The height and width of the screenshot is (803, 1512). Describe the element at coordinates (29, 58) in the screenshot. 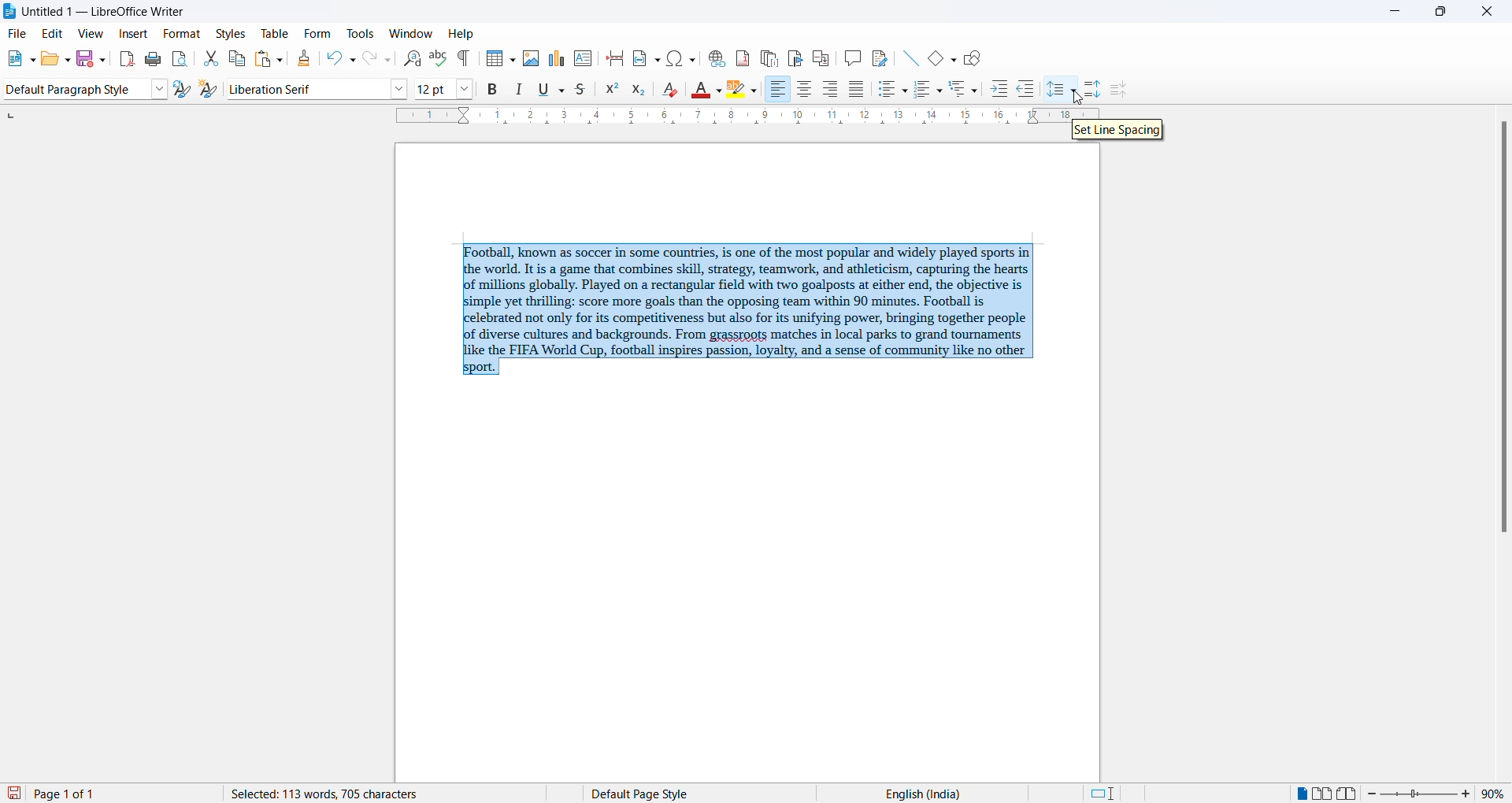

I see `new file options` at that location.